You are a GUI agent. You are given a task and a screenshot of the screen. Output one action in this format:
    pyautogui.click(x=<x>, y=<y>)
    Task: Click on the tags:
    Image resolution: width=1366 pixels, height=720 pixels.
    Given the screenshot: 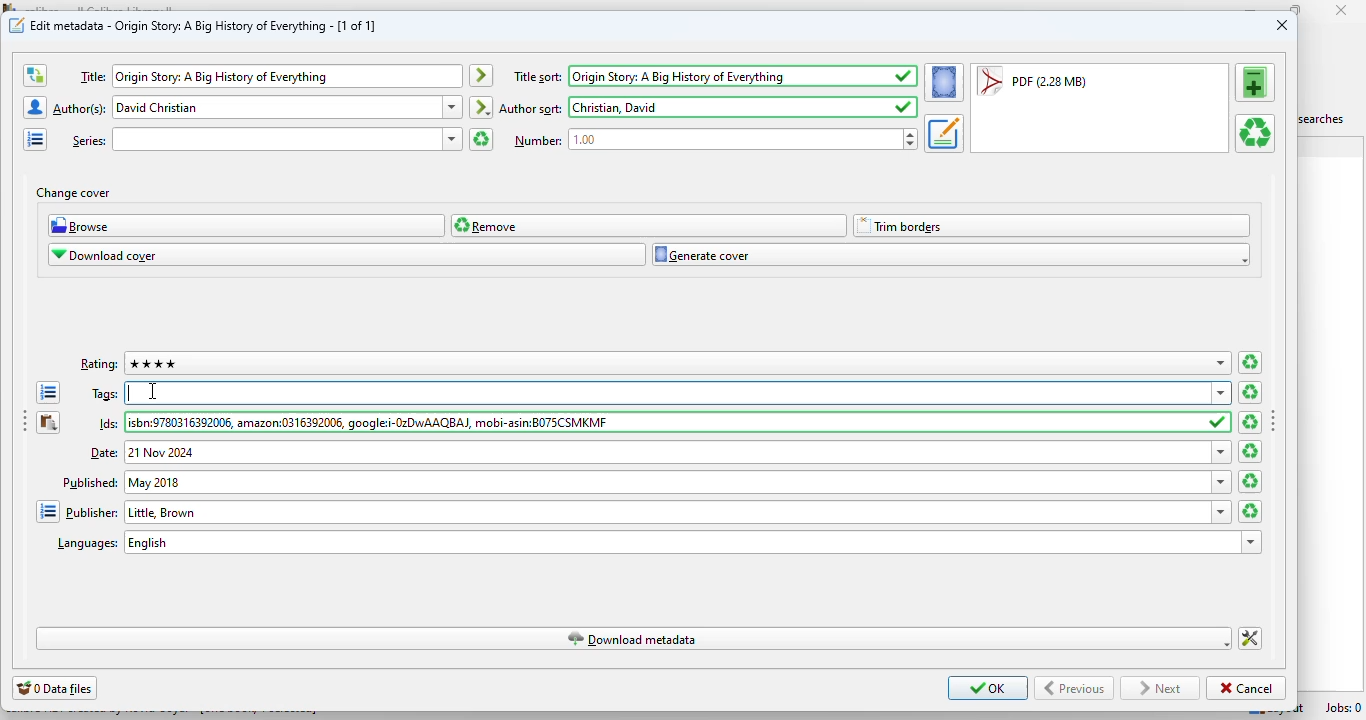 What is the action you would take?
    pyautogui.click(x=665, y=392)
    